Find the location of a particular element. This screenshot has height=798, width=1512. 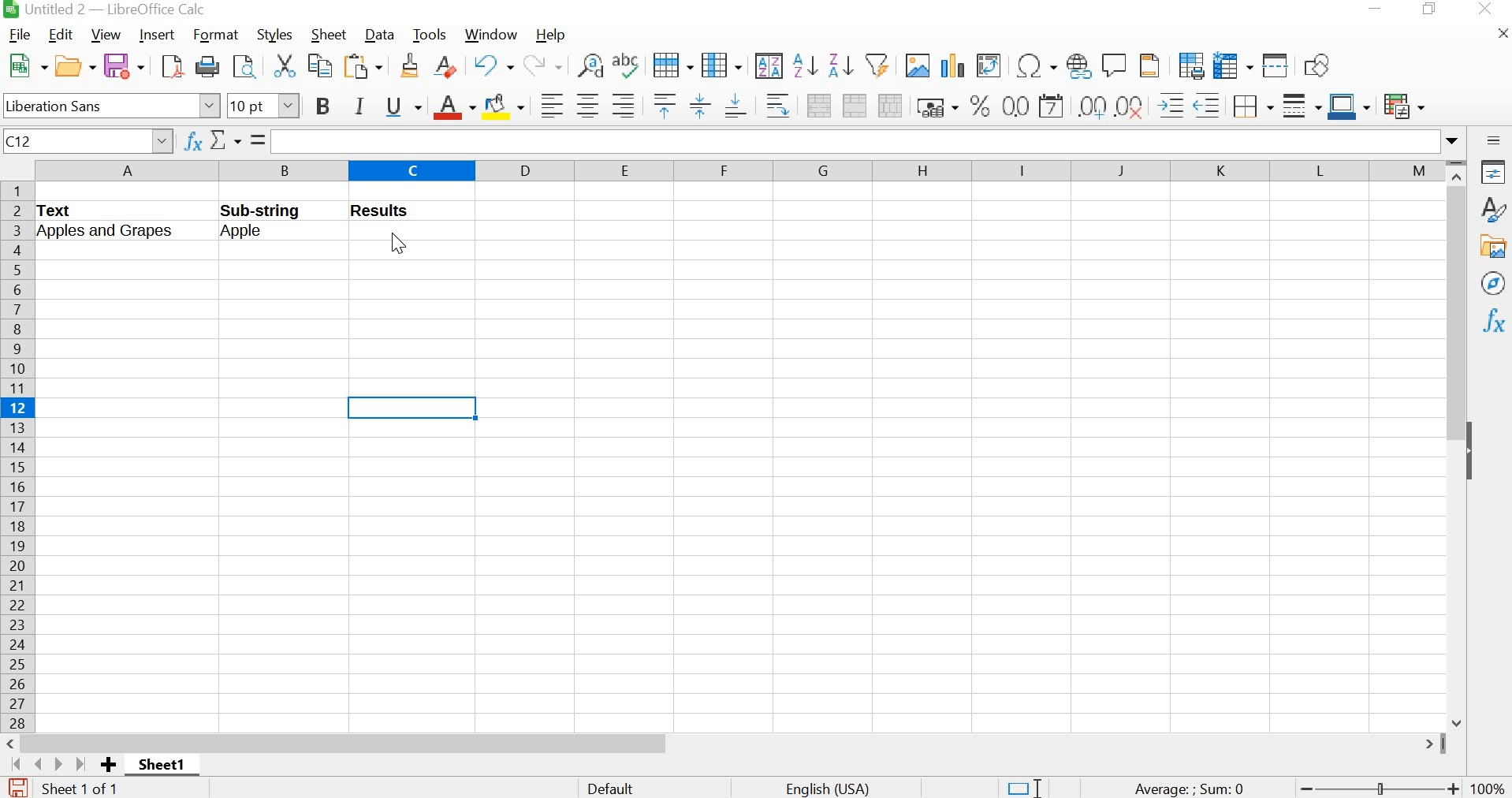

redo is located at coordinates (542, 65).